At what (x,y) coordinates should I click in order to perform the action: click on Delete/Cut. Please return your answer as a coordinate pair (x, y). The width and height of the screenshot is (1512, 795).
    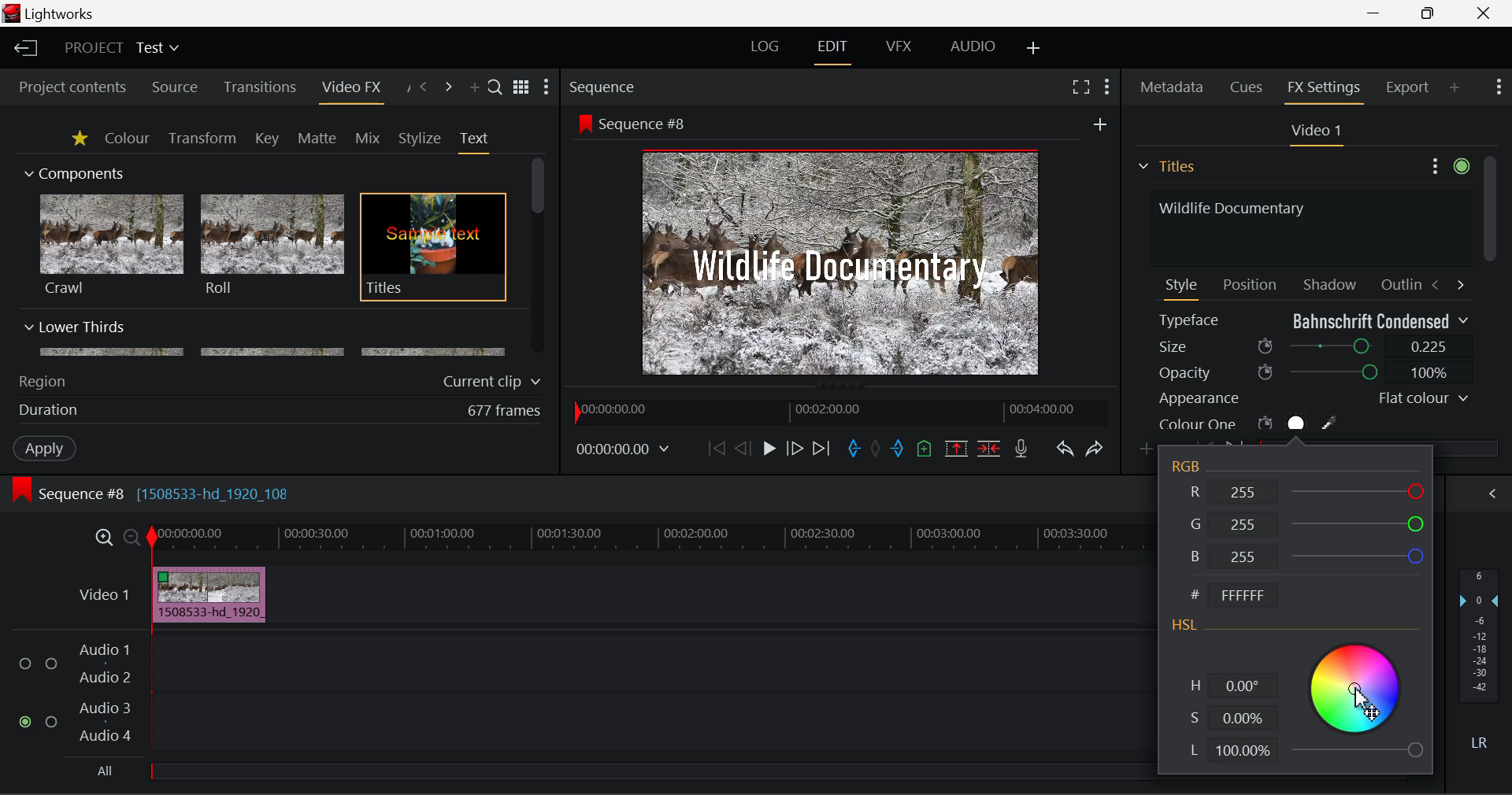
    Looking at the image, I should click on (991, 448).